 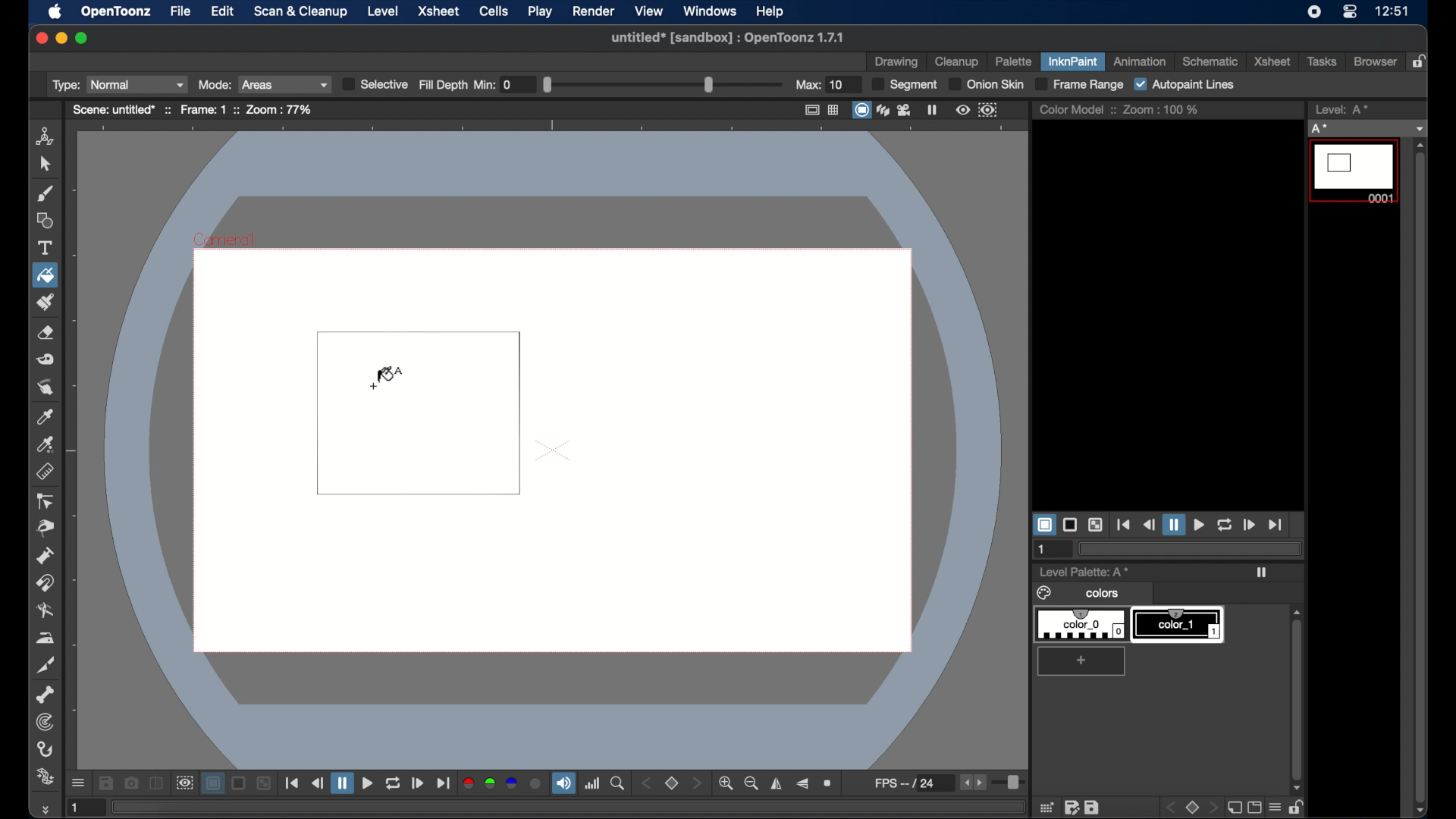 What do you see at coordinates (1254, 807) in the screenshot?
I see `screen` at bounding box center [1254, 807].